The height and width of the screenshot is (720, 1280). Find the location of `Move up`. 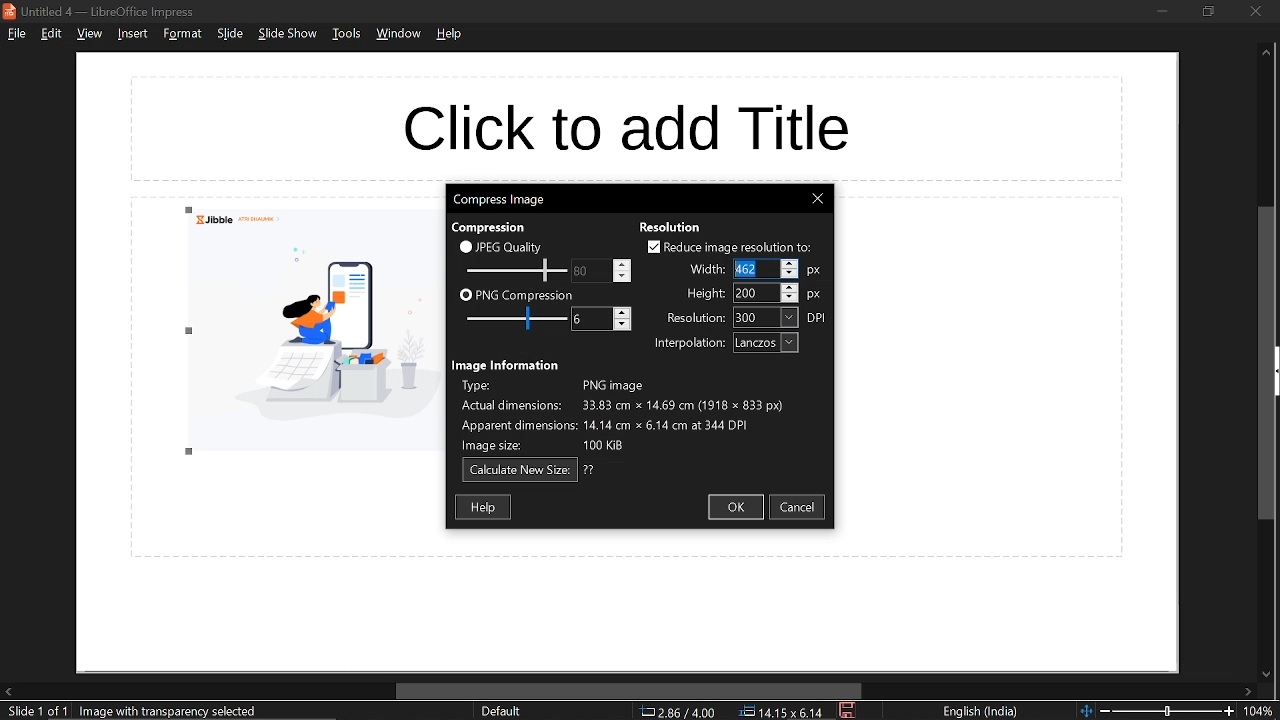

Move up is located at coordinates (1266, 53).